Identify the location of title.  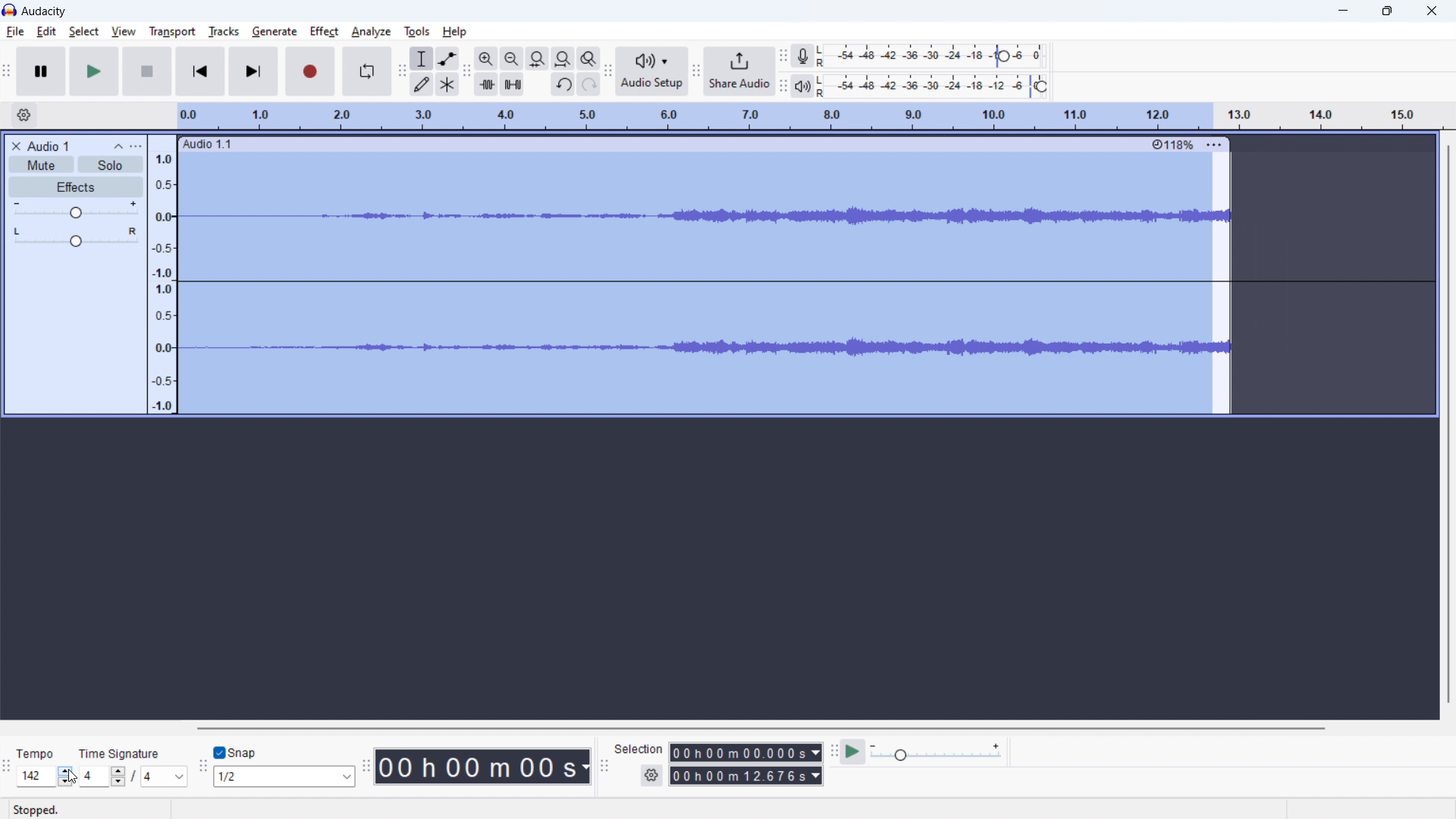
(45, 12).